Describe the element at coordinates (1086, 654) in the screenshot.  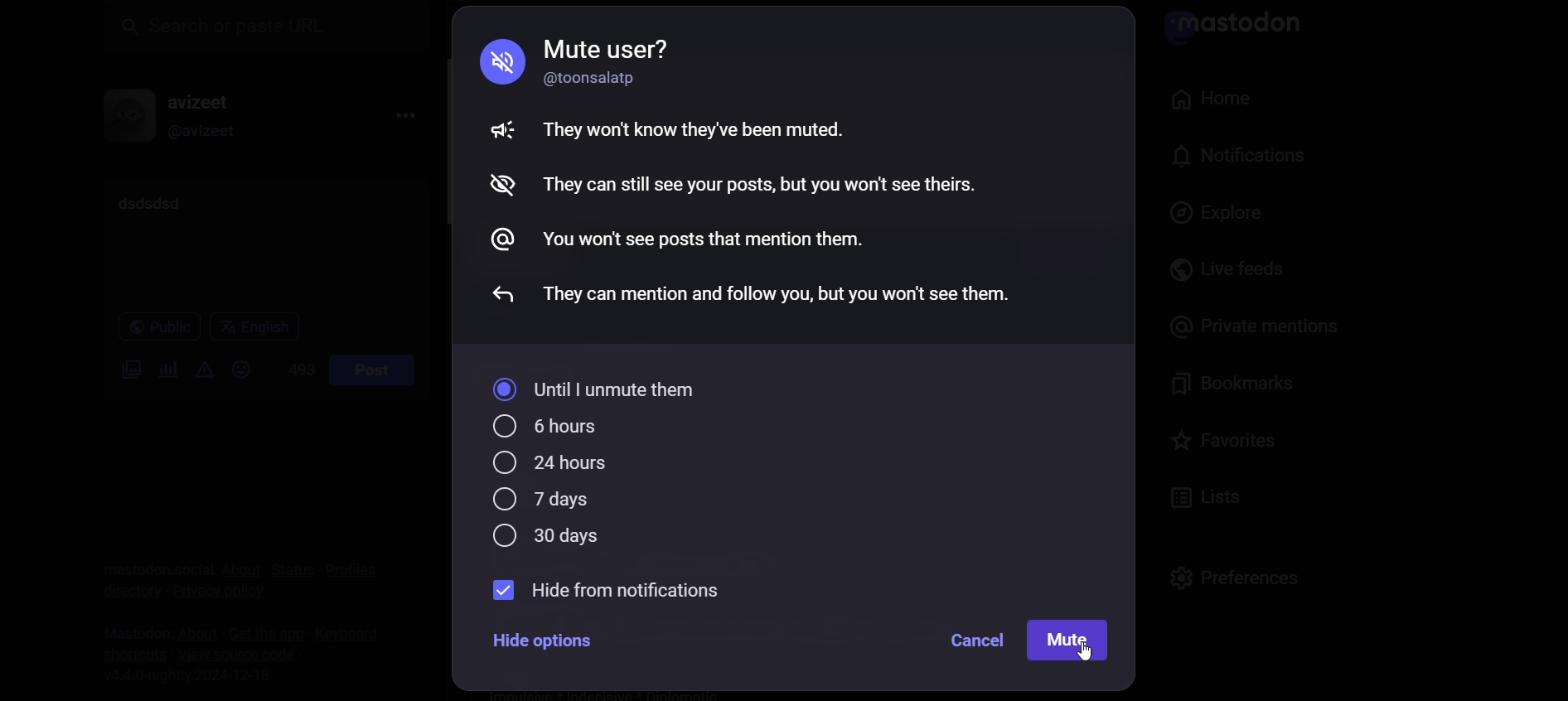
I see `` at that location.